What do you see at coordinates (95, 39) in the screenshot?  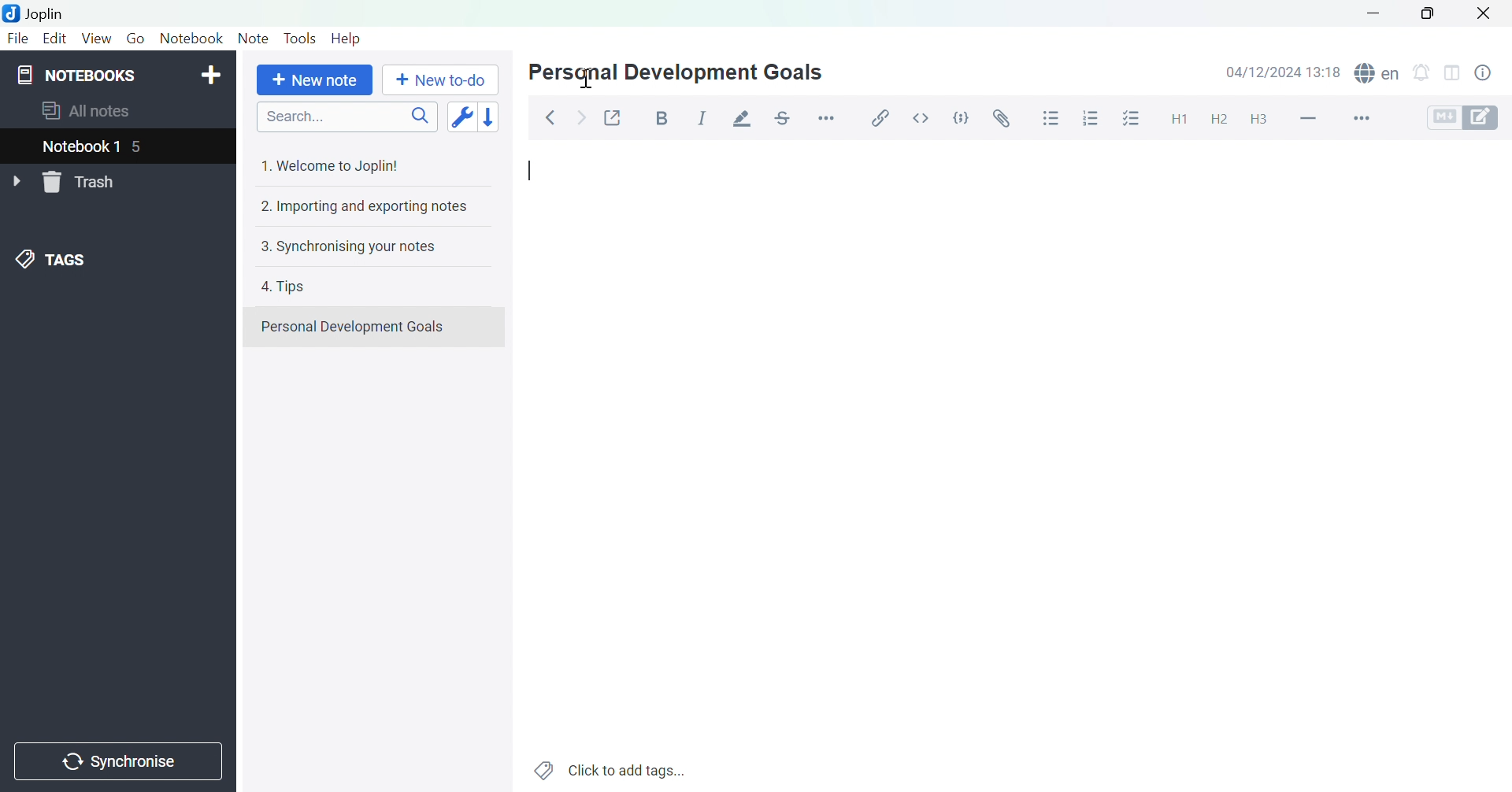 I see `View` at bounding box center [95, 39].